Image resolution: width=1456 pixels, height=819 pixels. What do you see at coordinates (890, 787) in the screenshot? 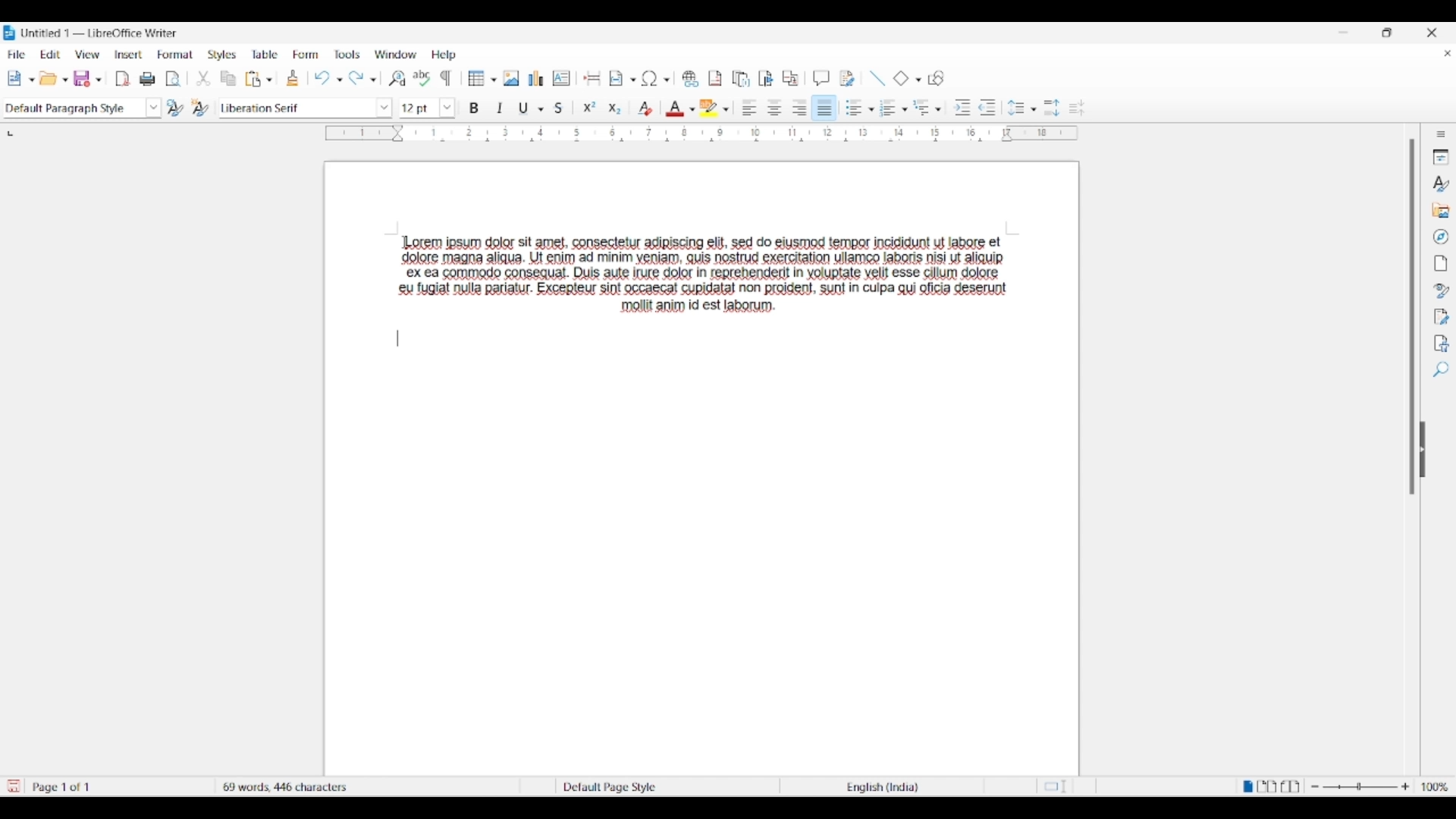
I see `English (India)` at bounding box center [890, 787].